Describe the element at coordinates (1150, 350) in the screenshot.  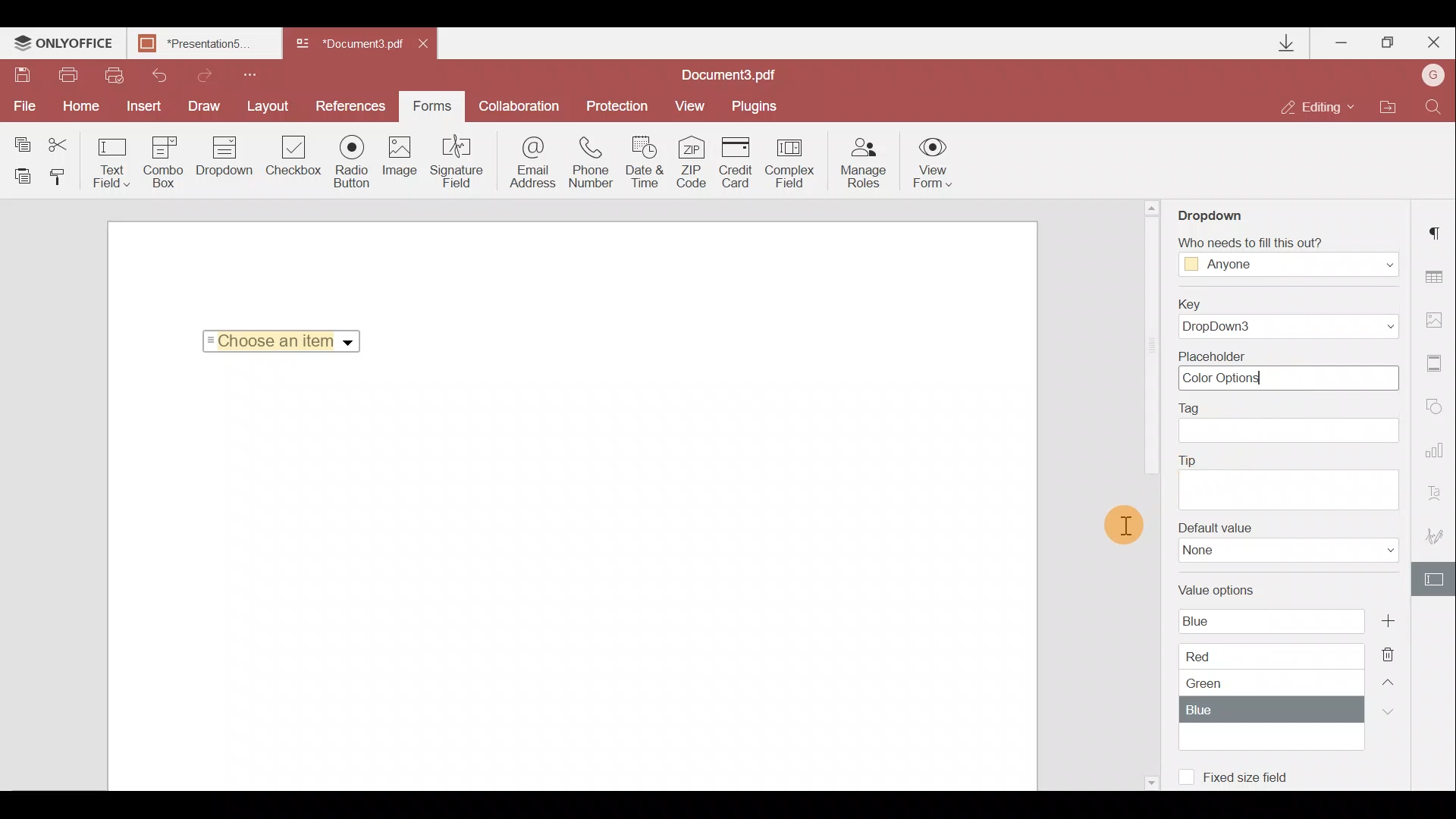
I see `Scroll bar` at that location.